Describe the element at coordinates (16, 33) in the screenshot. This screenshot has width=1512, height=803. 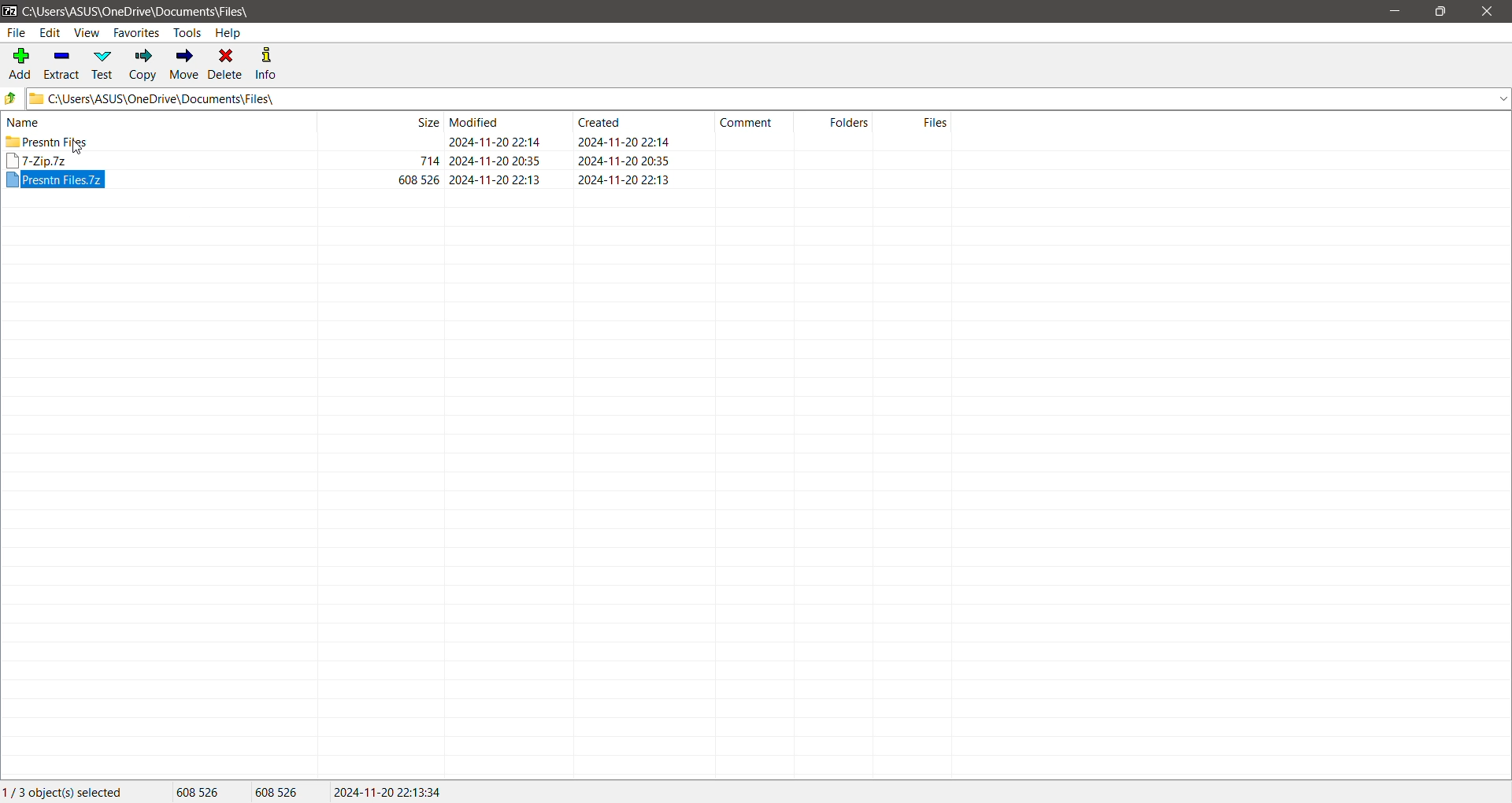
I see `File` at that location.